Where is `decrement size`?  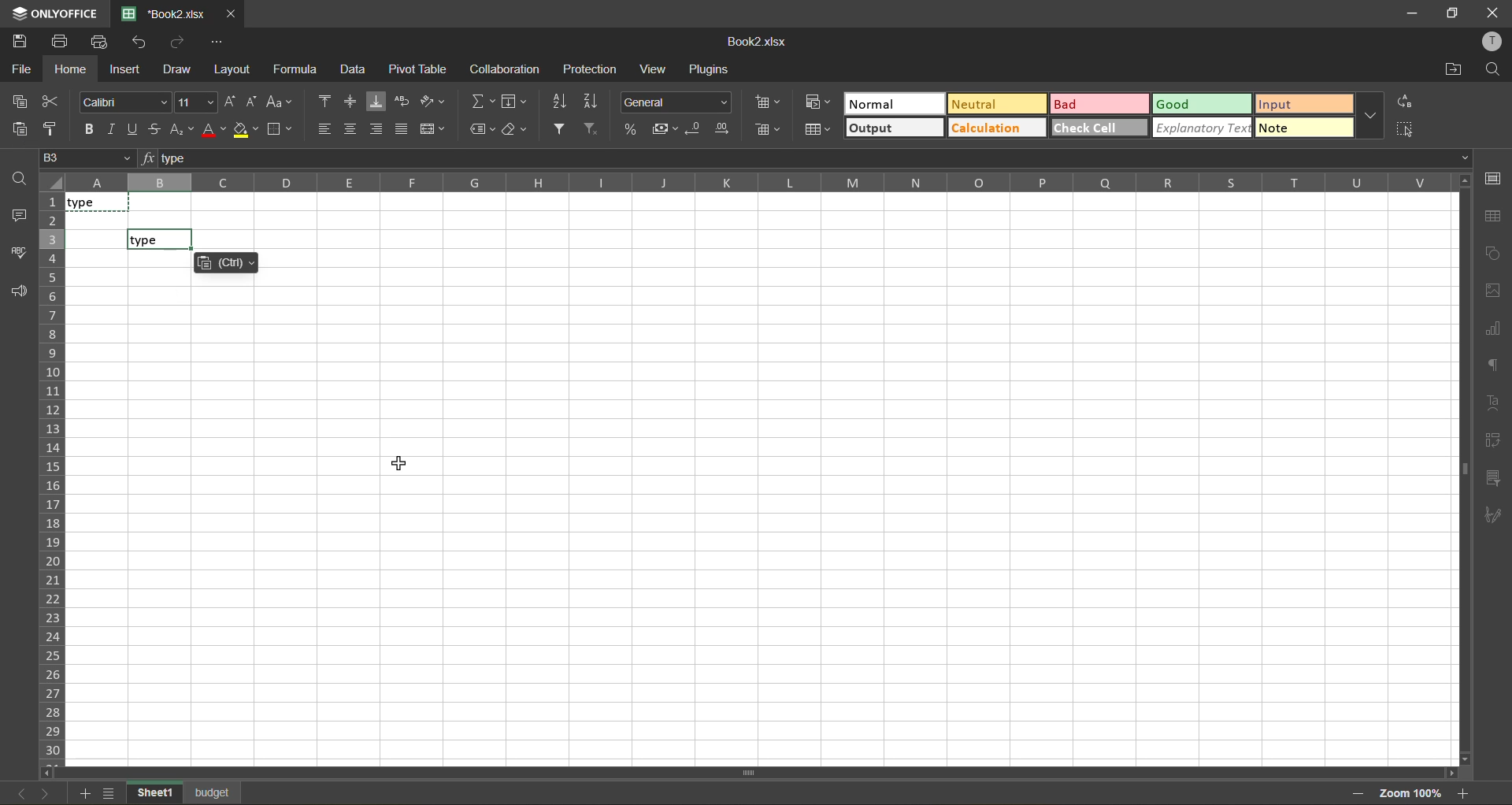
decrement size is located at coordinates (254, 102).